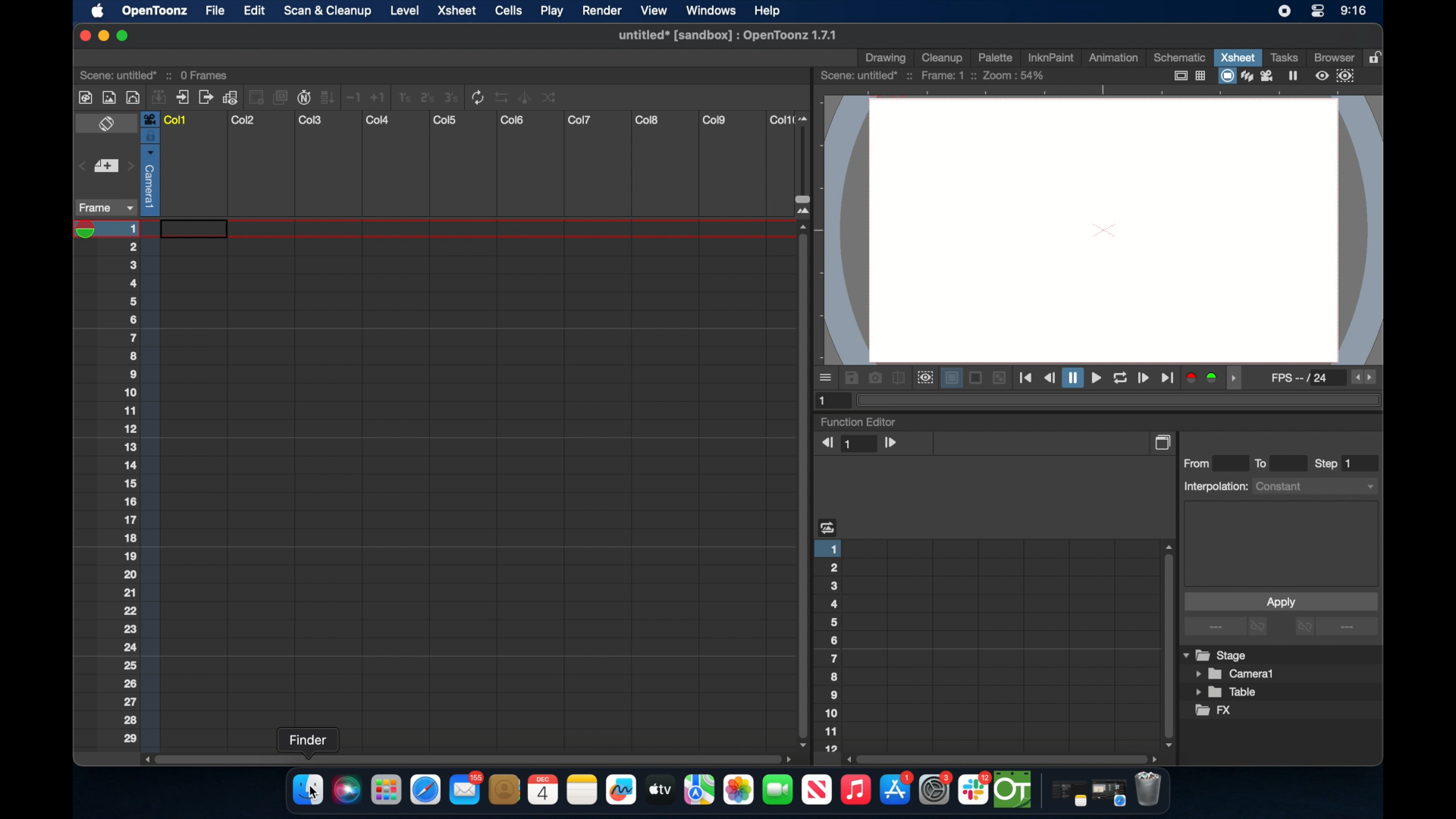 Image resolution: width=1456 pixels, height=819 pixels. Describe the element at coordinates (90, 230) in the screenshot. I see `playhead` at that location.